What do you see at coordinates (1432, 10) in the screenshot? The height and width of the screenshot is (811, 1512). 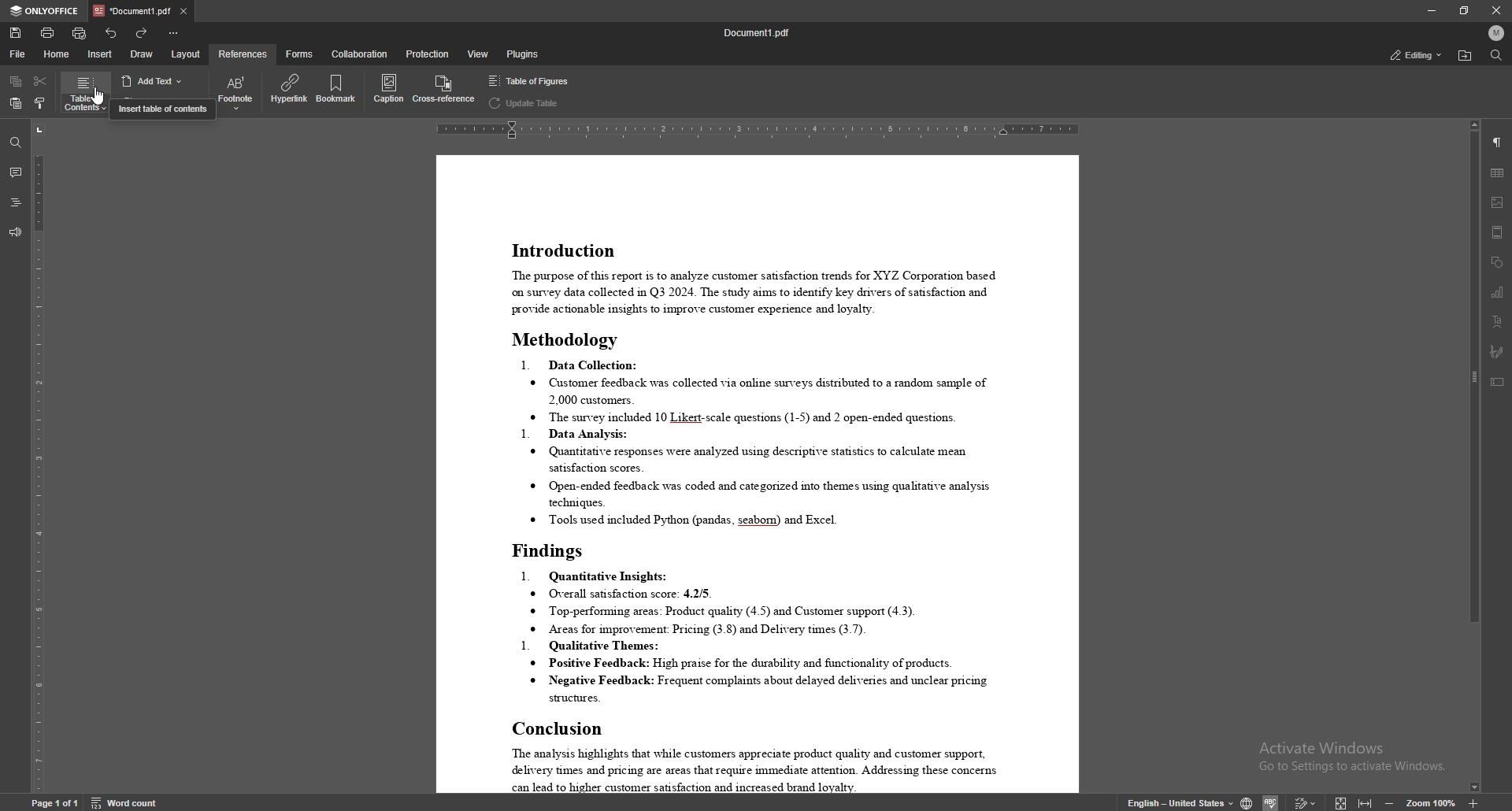 I see `minimize` at bounding box center [1432, 10].